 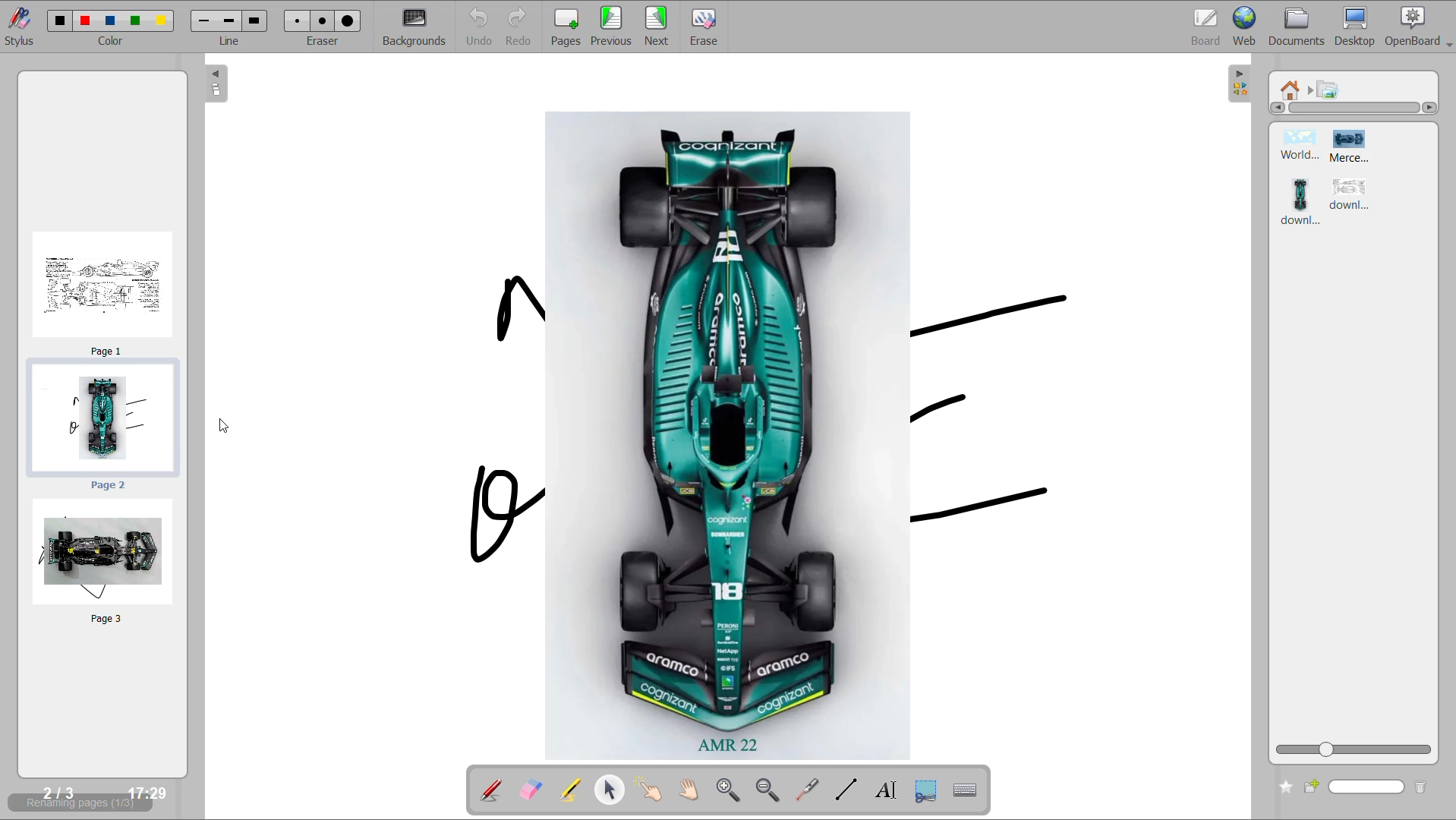 I want to click on draw lines, so click(x=846, y=789).